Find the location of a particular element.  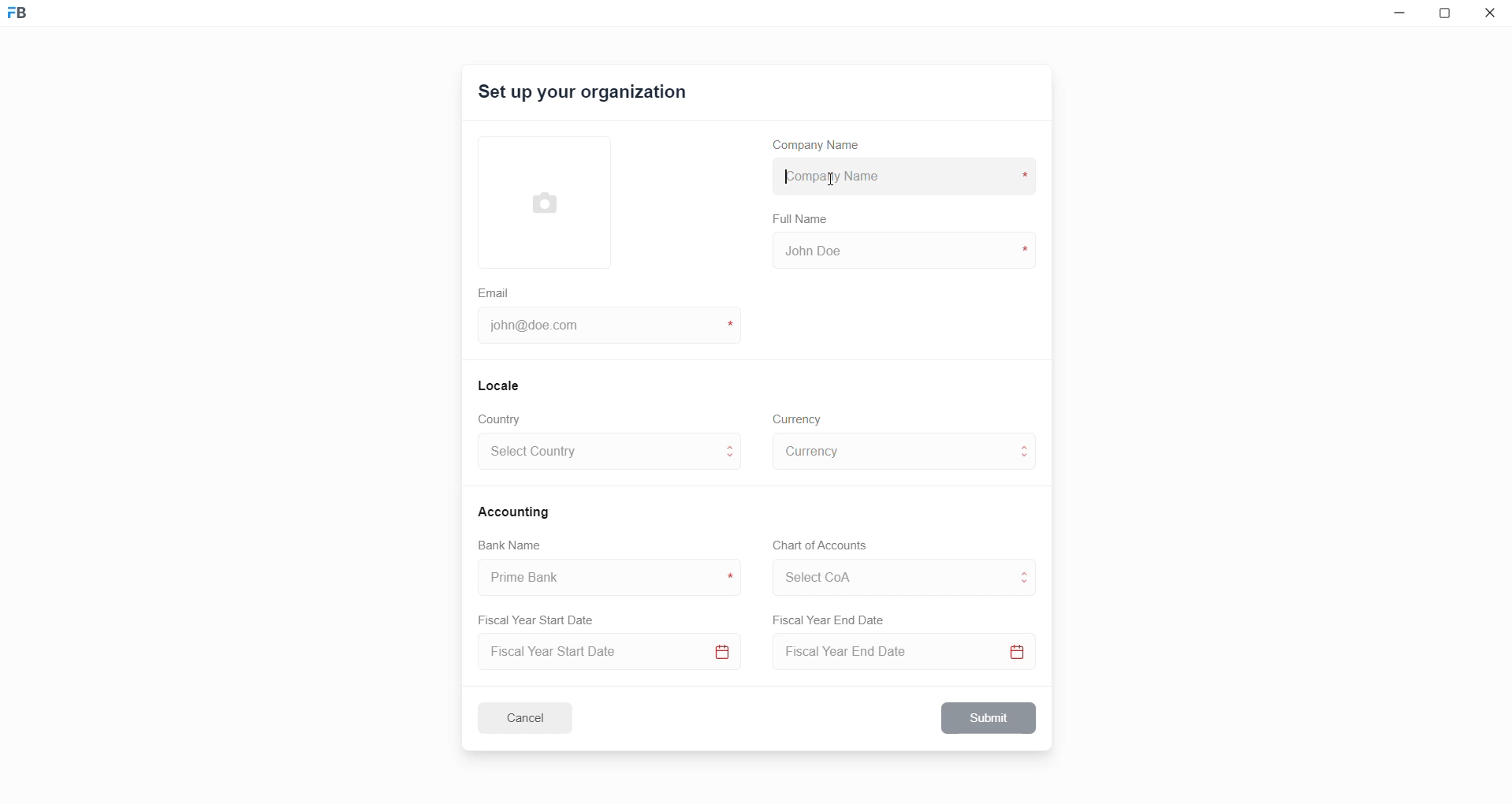

move to above curreny is located at coordinates (1028, 445).